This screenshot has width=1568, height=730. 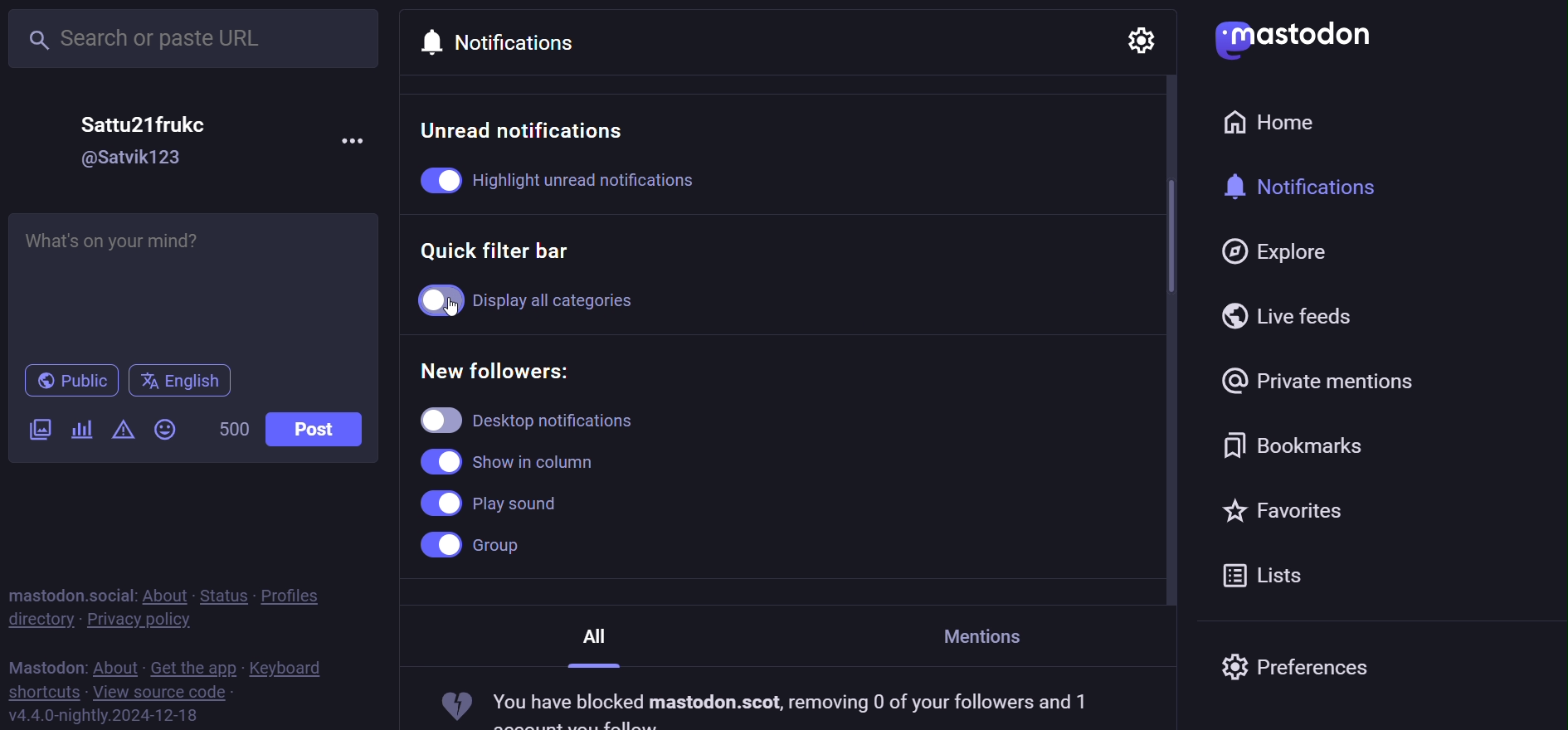 I want to click on preferences, so click(x=1297, y=671).